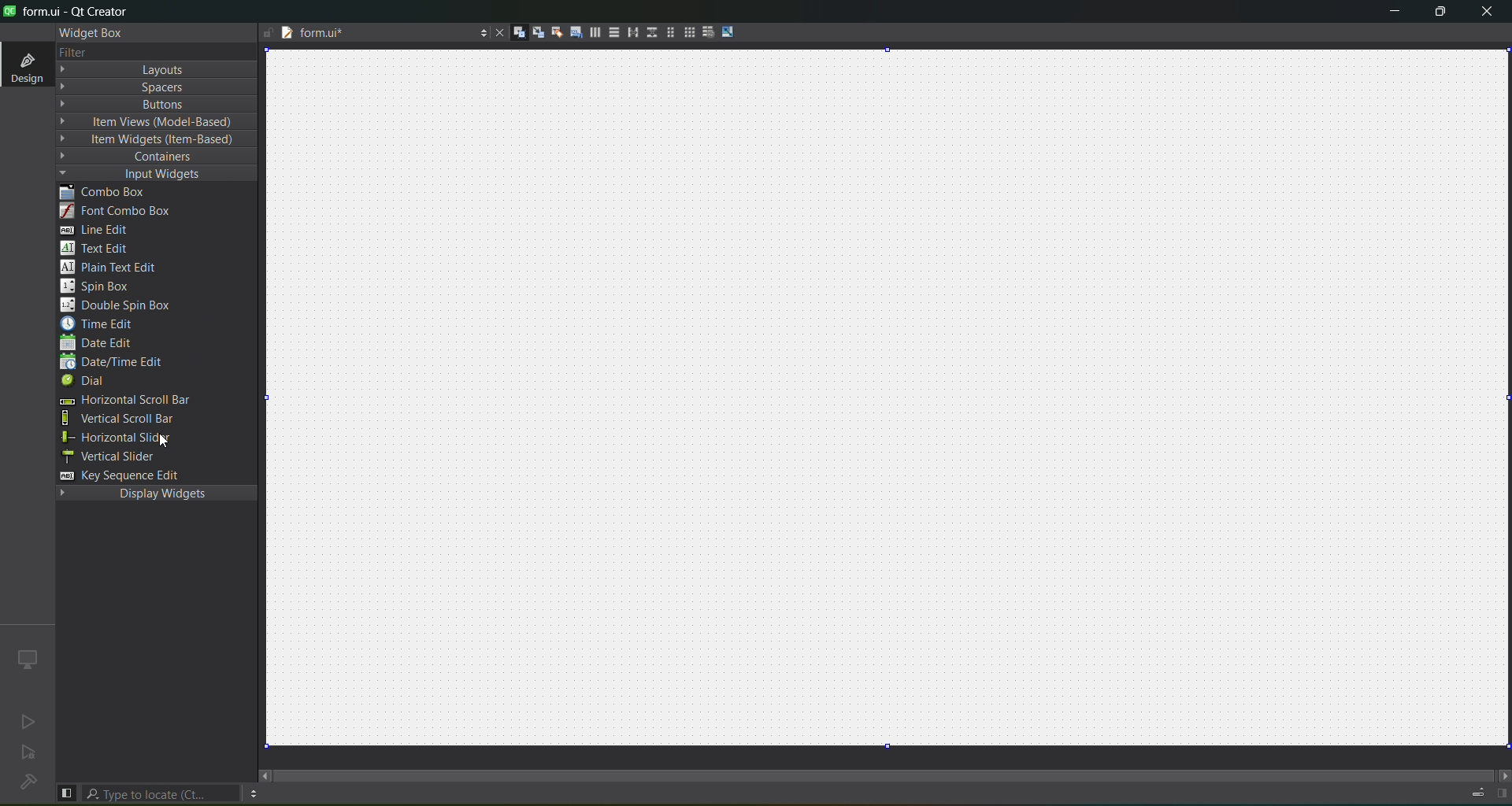 This screenshot has width=1512, height=806. I want to click on minimize, so click(1388, 14).